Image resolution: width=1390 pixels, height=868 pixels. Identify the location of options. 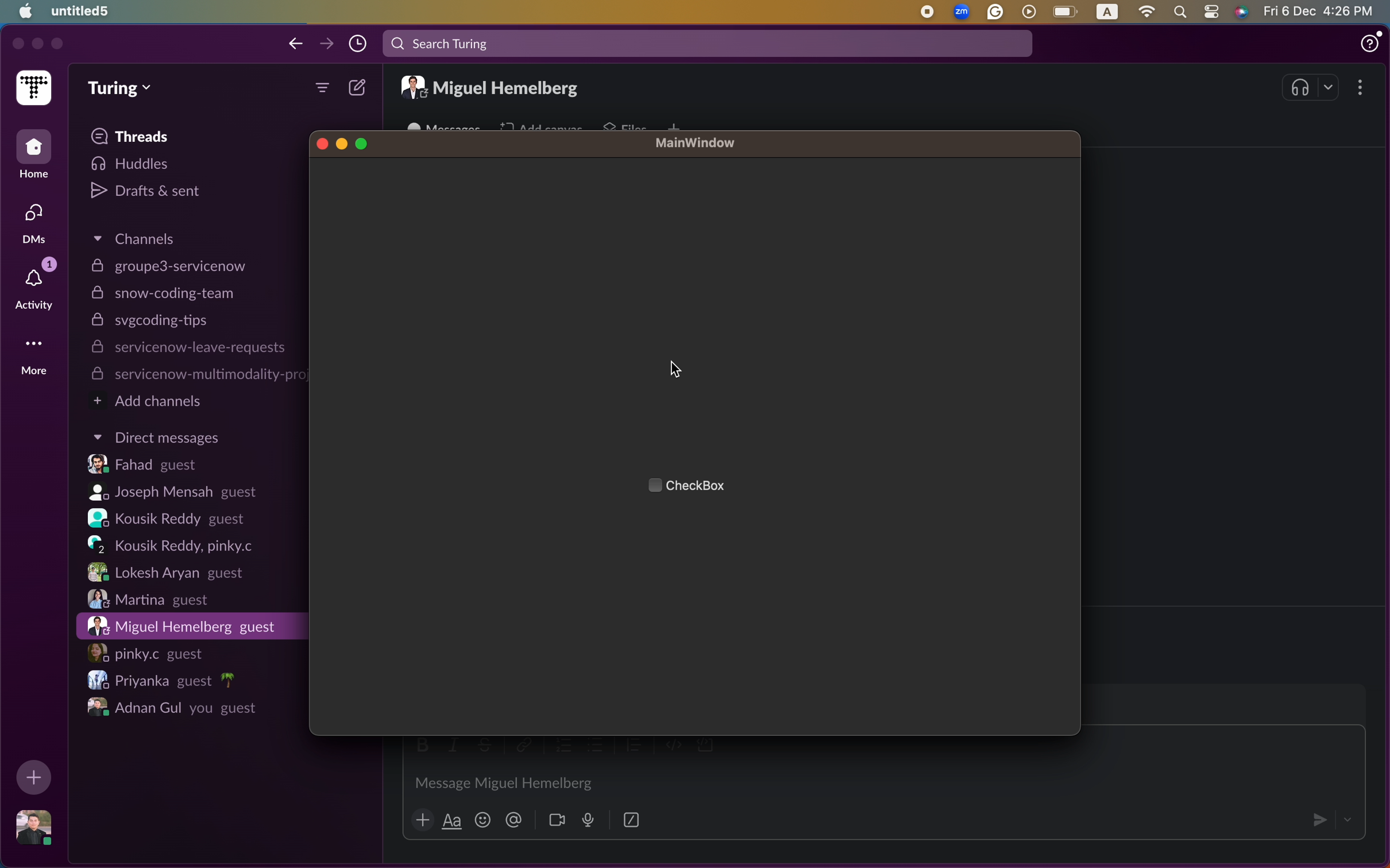
(1361, 88).